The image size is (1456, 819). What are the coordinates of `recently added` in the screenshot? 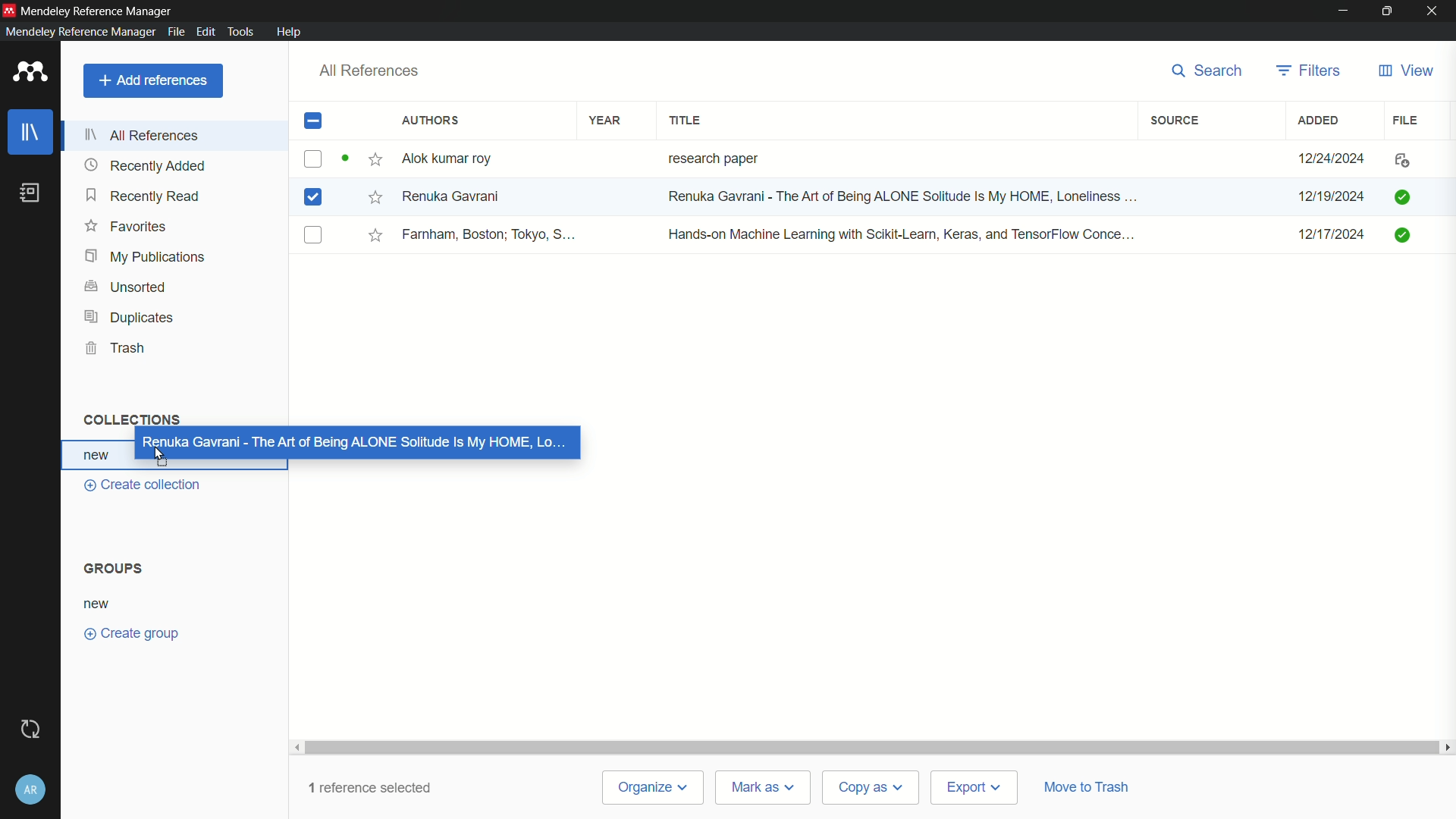 It's located at (145, 165).